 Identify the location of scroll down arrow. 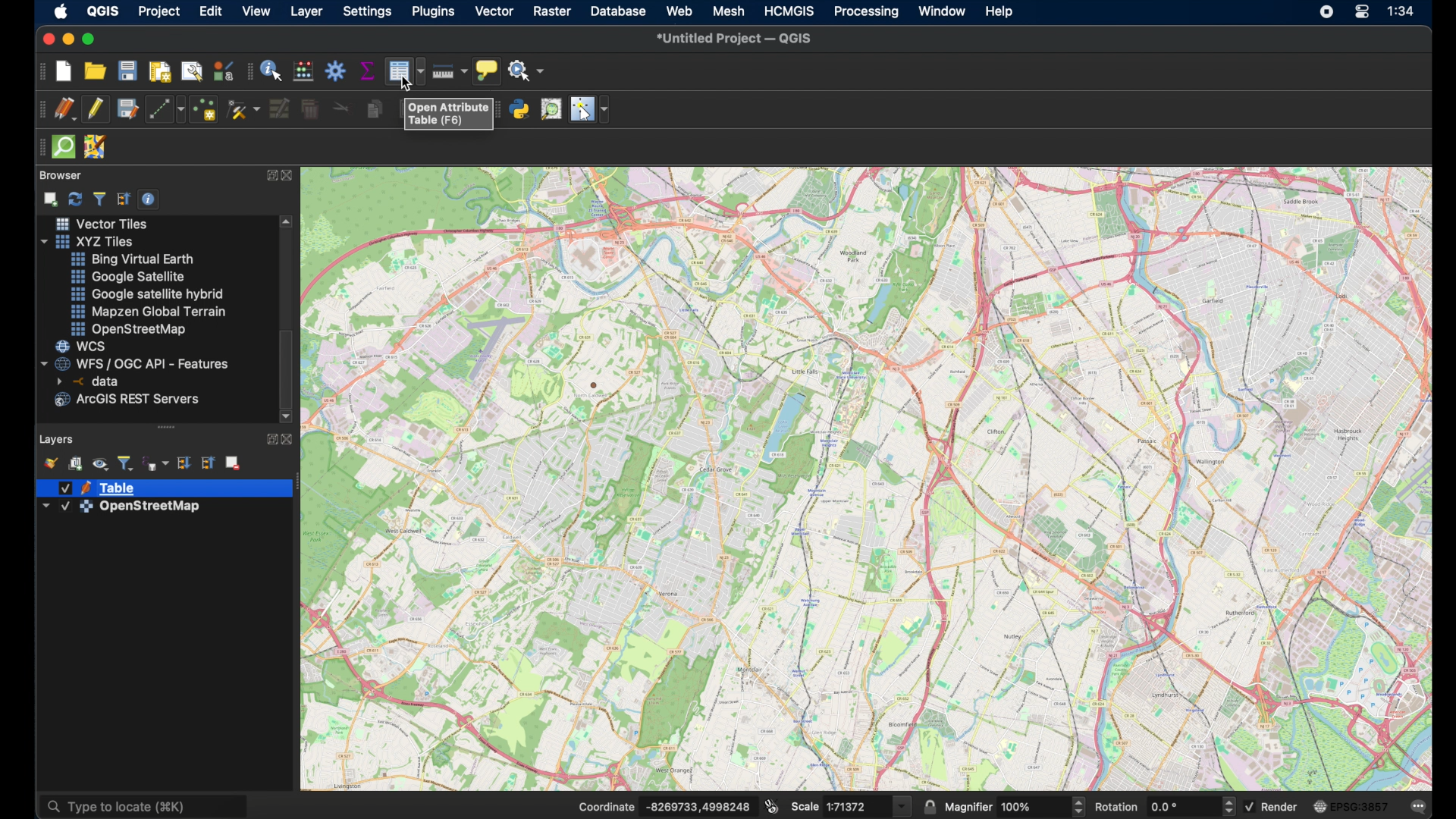
(287, 415).